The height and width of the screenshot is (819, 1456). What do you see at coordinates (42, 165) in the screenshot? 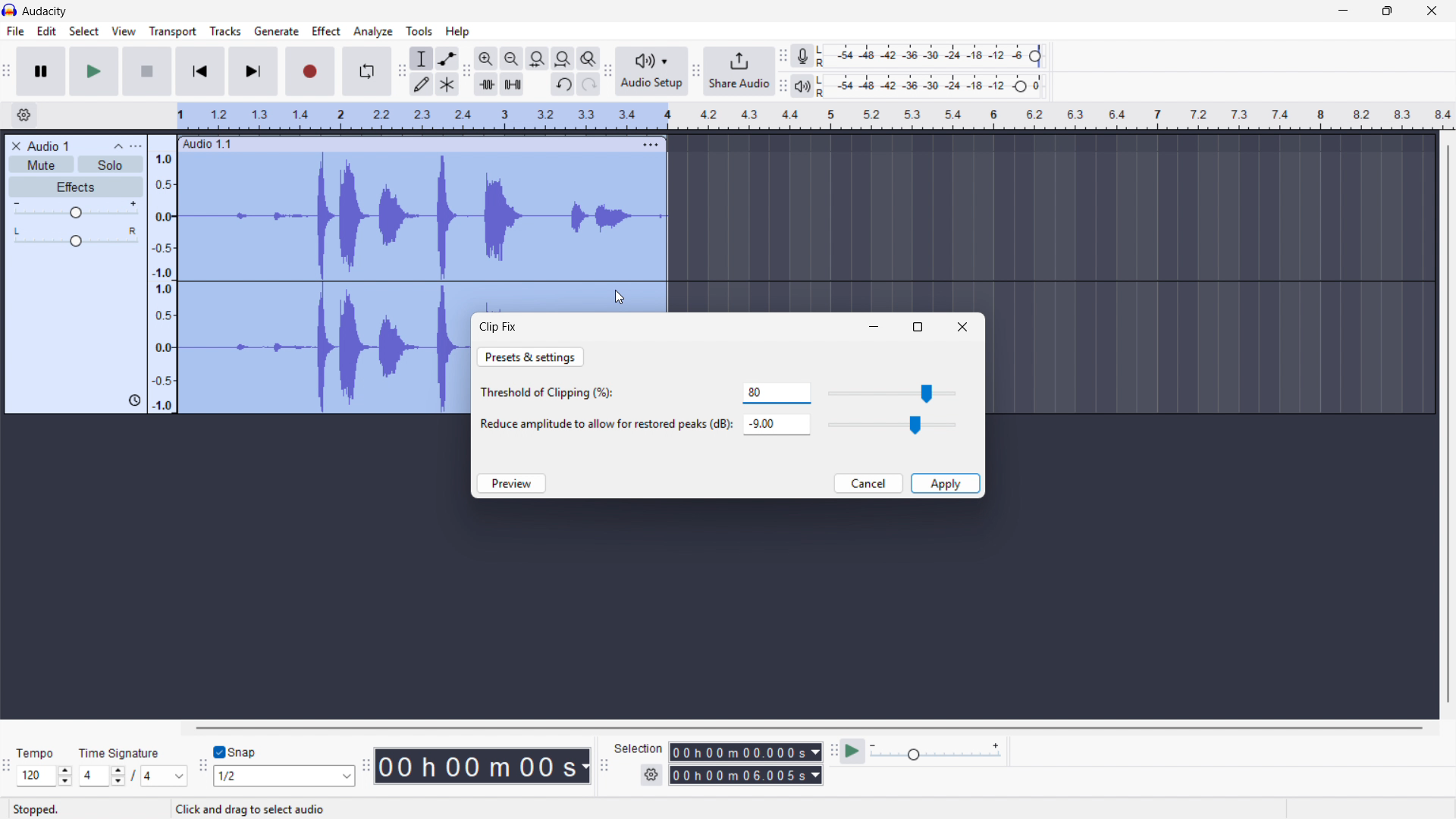
I see `Mute` at bounding box center [42, 165].